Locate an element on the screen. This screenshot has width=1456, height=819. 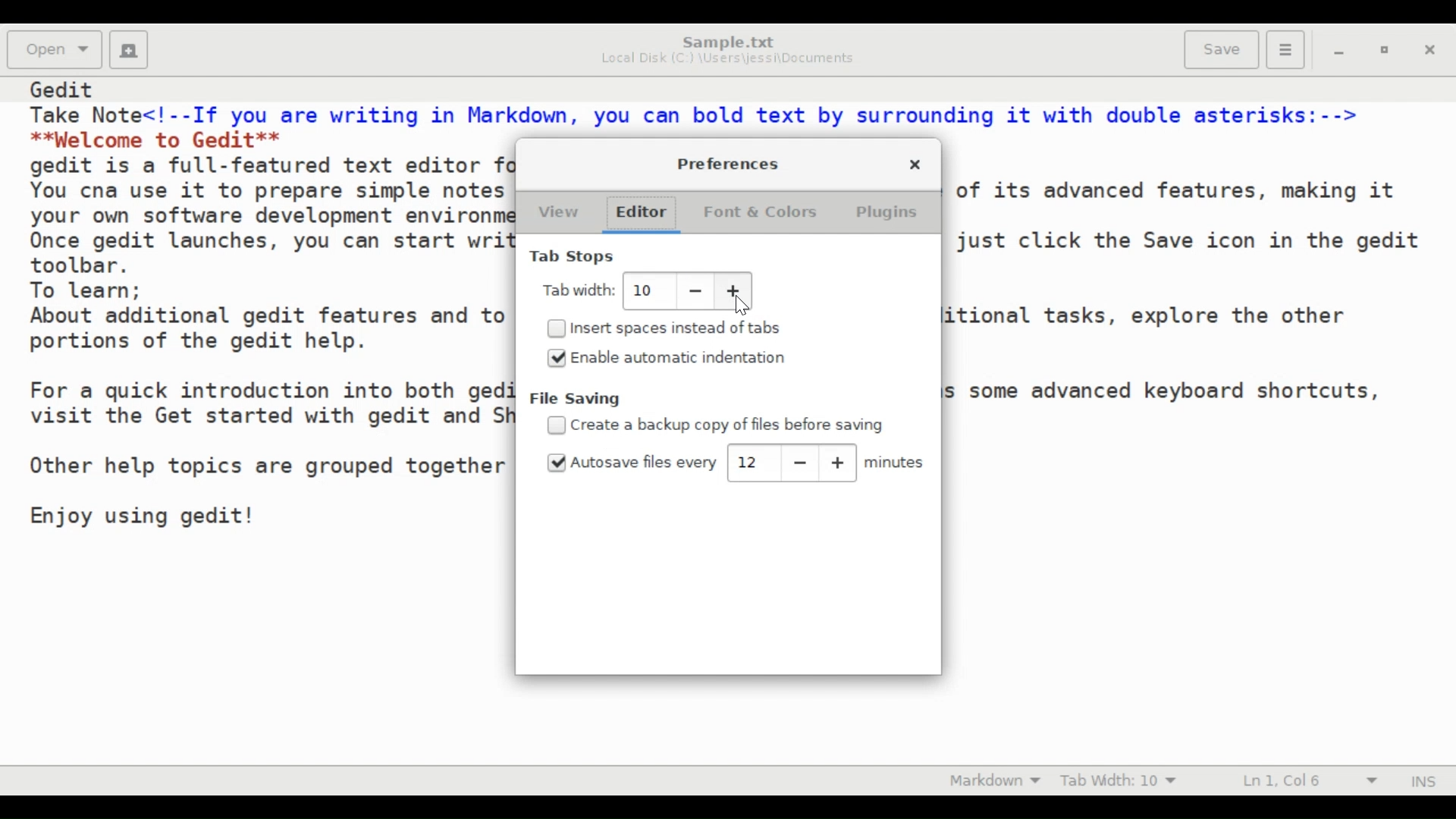
restore is located at coordinates (1389, 53).